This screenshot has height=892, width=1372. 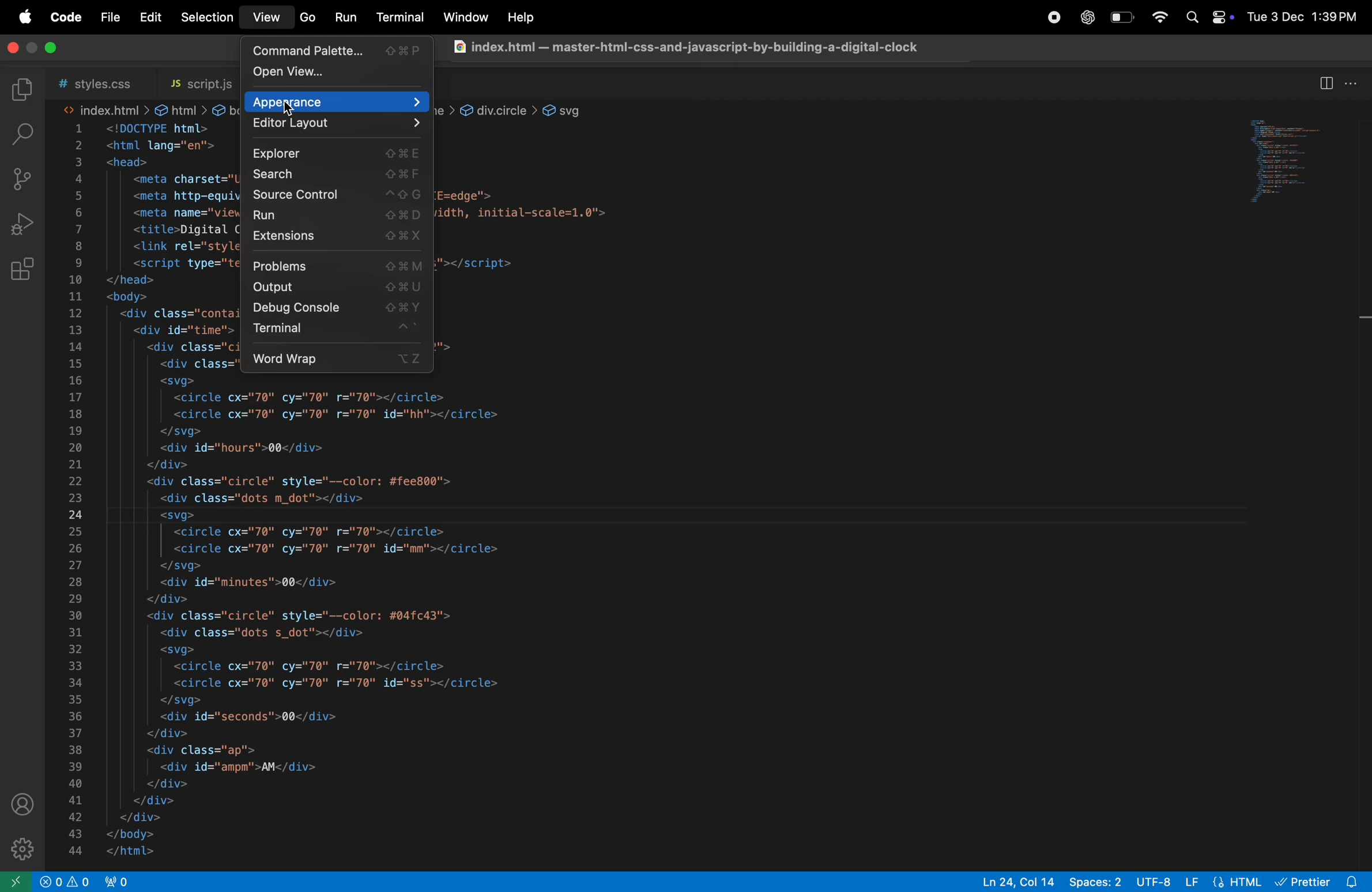 What do you see at coordinates (332, 331) in the screenshot?
I see `terminal` at bounding box center [332, 331].